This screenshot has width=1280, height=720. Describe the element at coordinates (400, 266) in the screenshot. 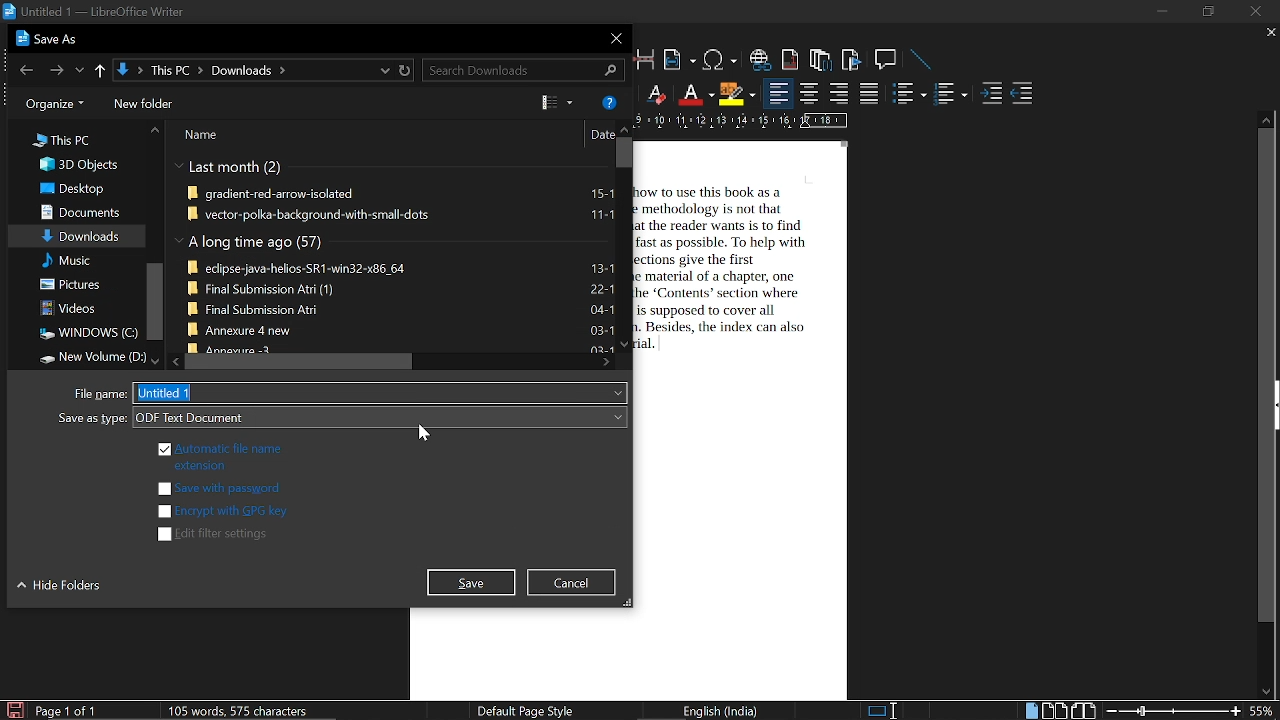

I see `eclipse-java-helios-SR1-win32-x86 64 131` at that location.